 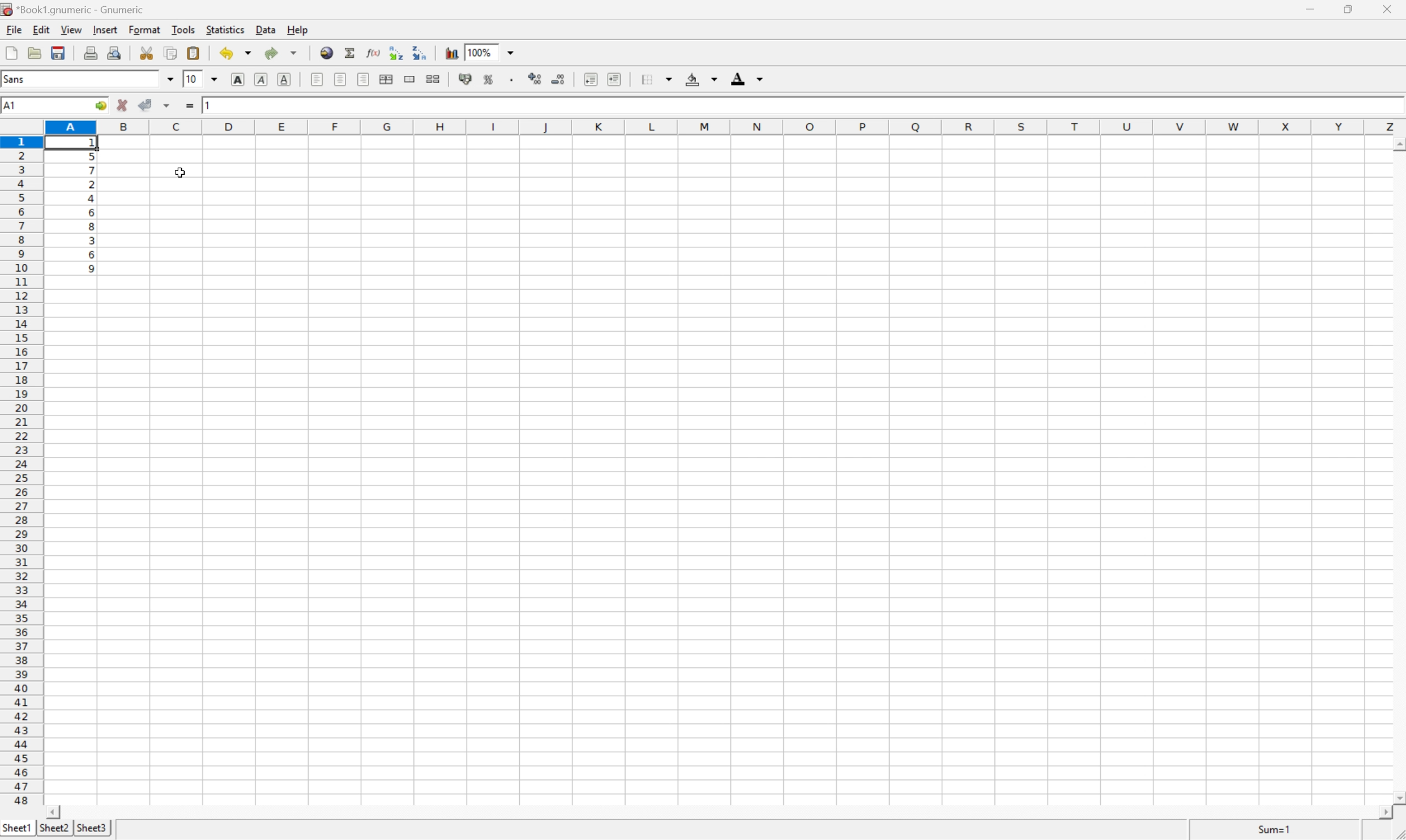 I want to click on paste, so click(x=194, y=52).